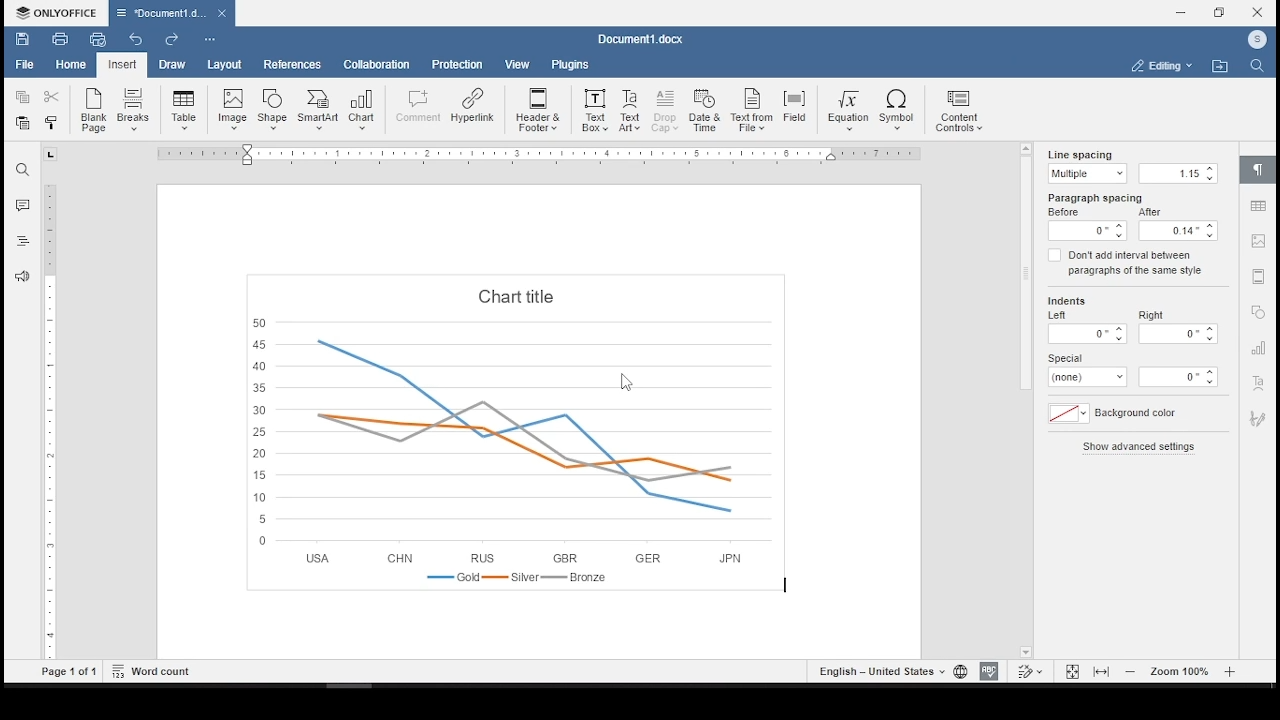  What do you see at coordinates (1259, 311) in the screenshot?
I see `shape settings` at bounding box center [1259, 311].